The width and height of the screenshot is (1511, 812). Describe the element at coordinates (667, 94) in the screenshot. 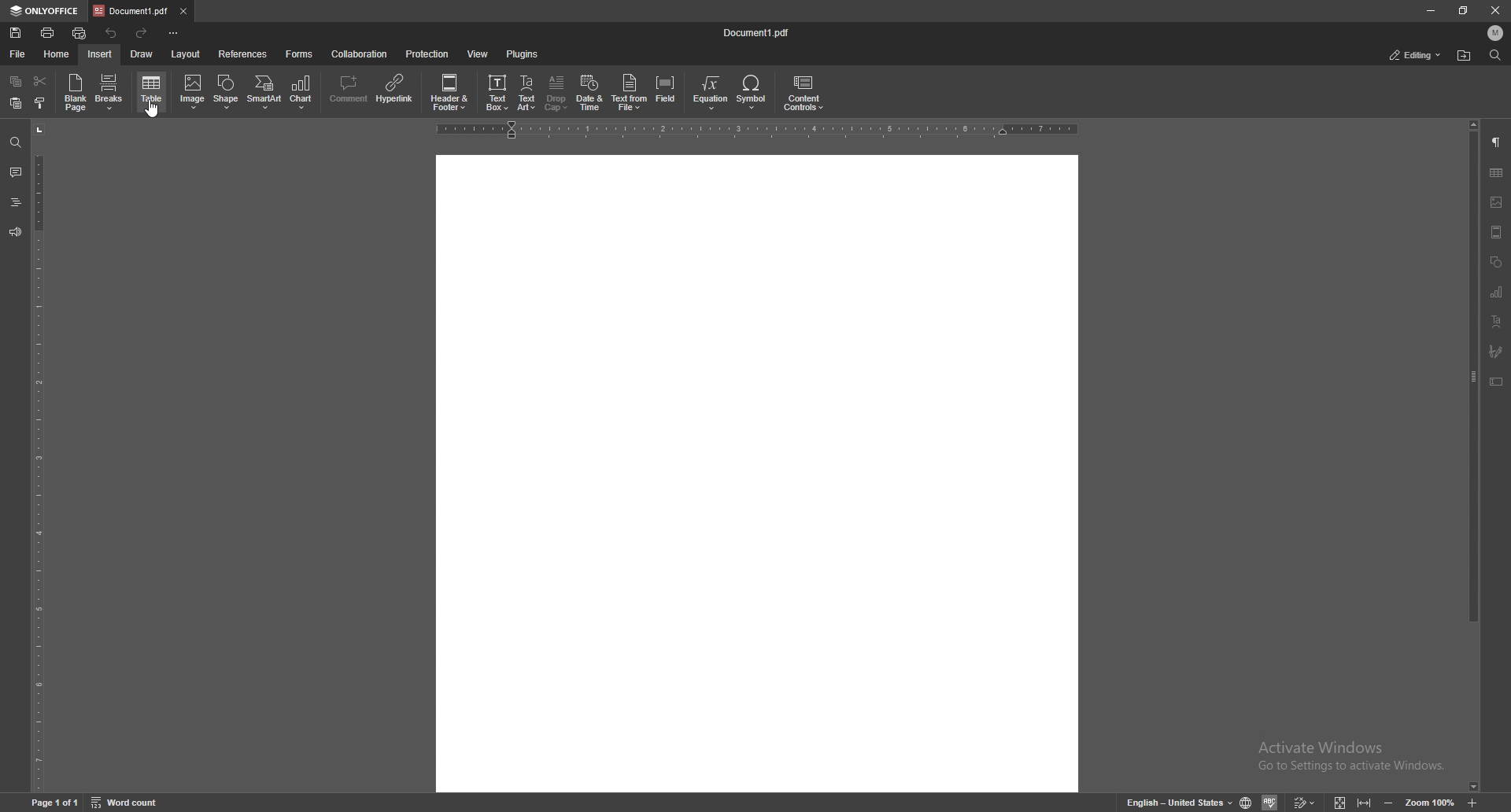

I see `field` at that location.